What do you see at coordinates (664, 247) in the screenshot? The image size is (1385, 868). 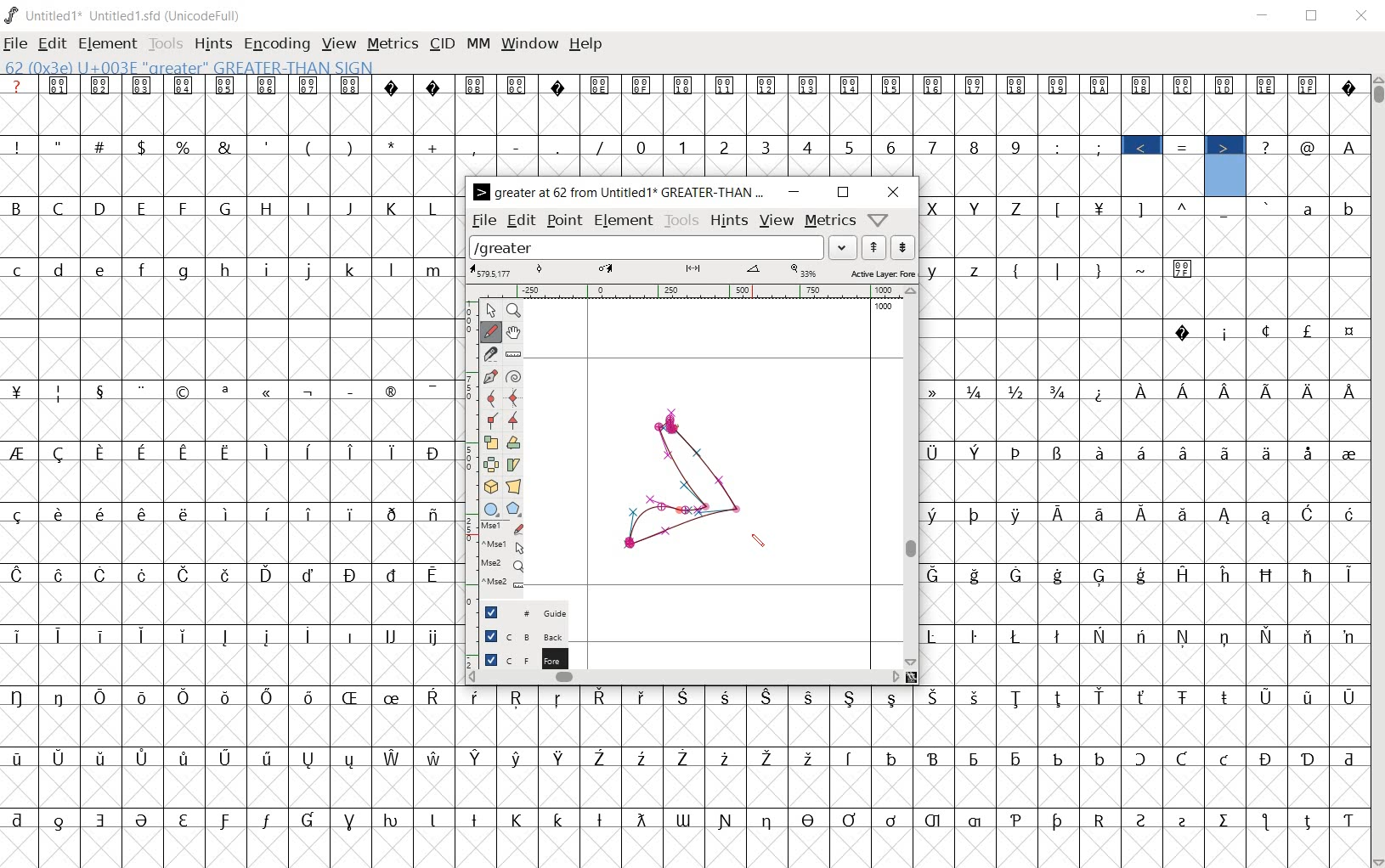 I see `load word list` at bounding box center [664, 247].